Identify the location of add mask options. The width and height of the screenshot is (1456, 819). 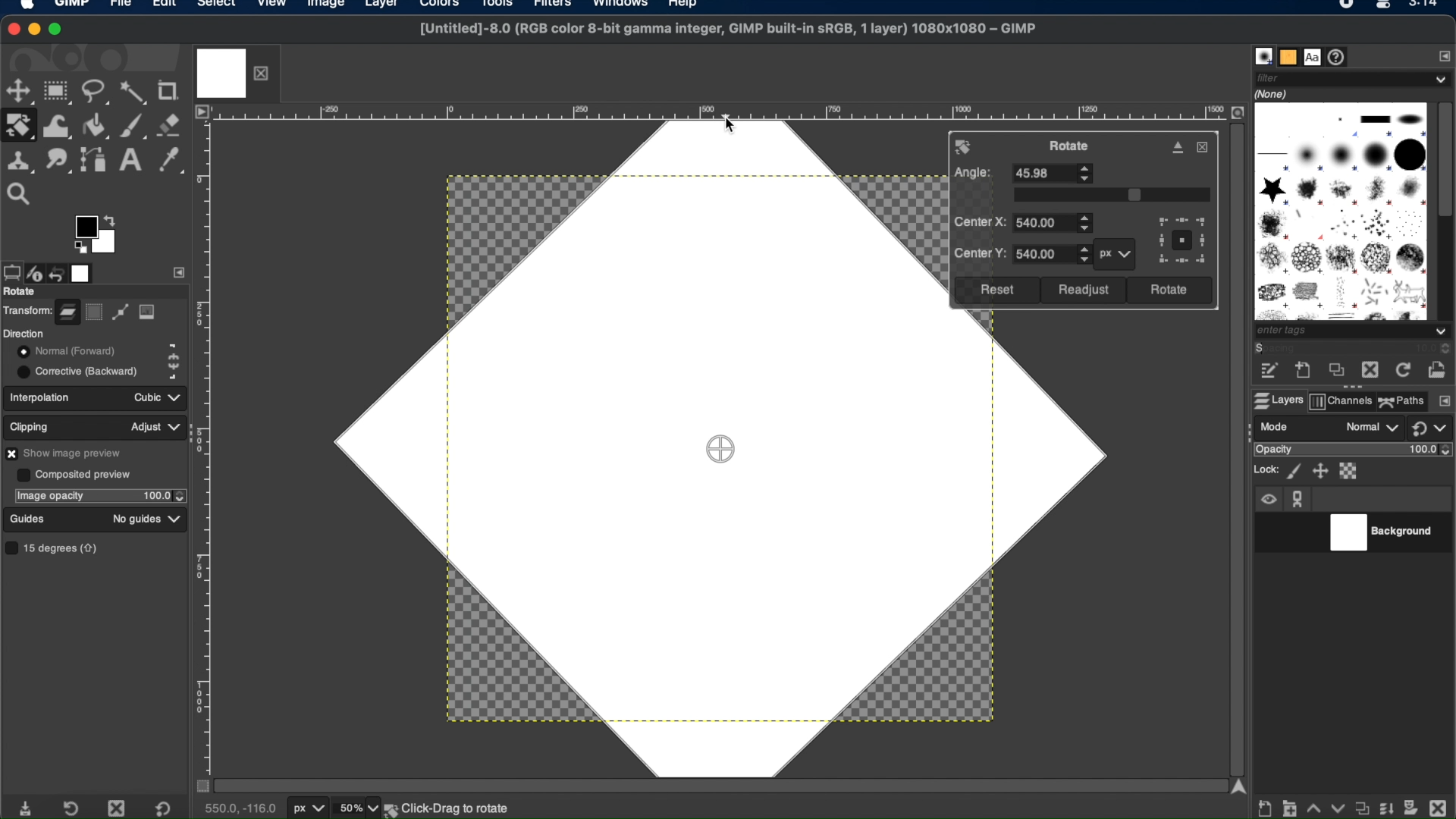
(1411, 806).